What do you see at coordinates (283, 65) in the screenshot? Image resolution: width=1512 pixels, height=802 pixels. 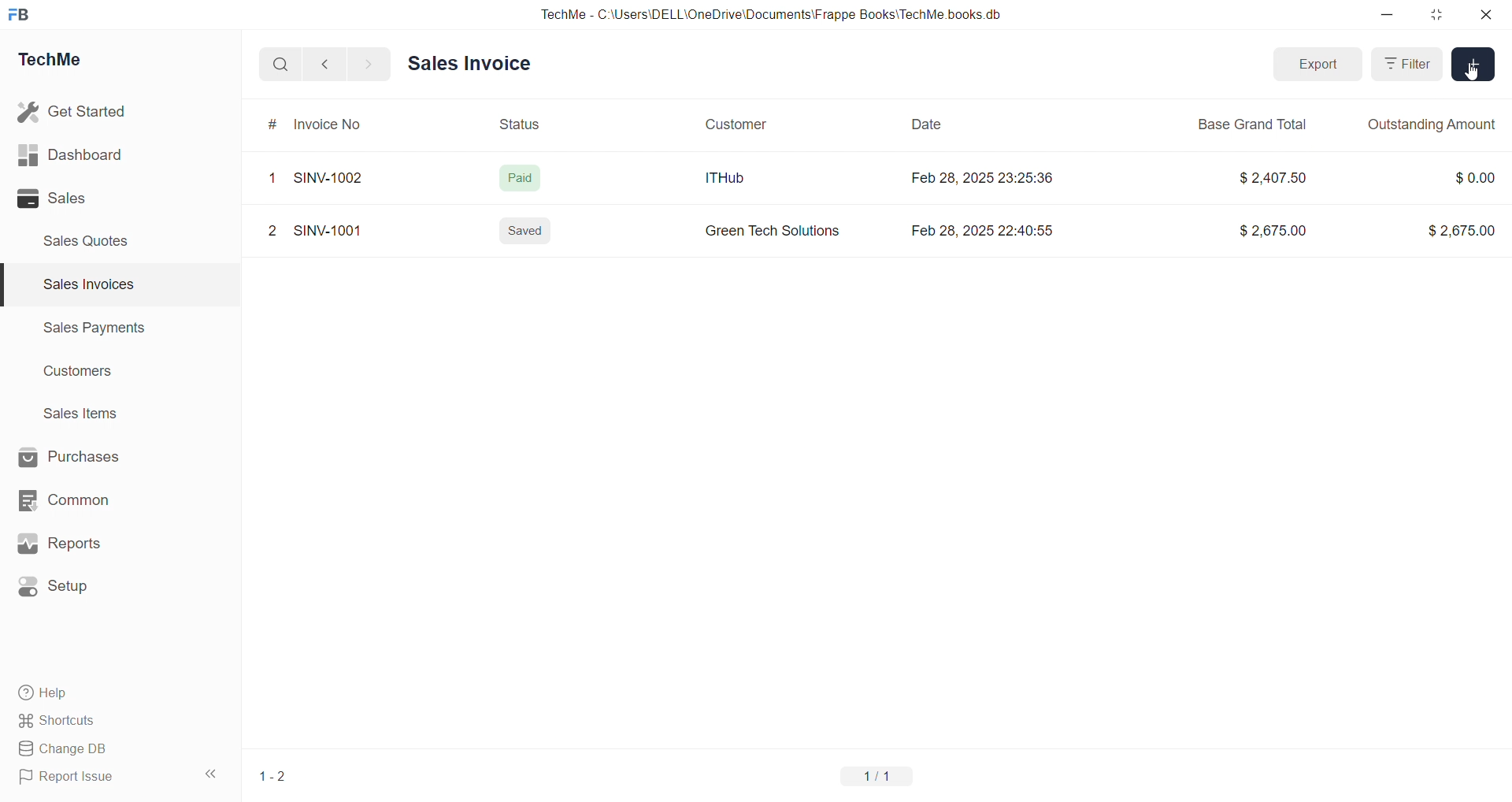 I see `Search buton` at bounding box center [283, 65].